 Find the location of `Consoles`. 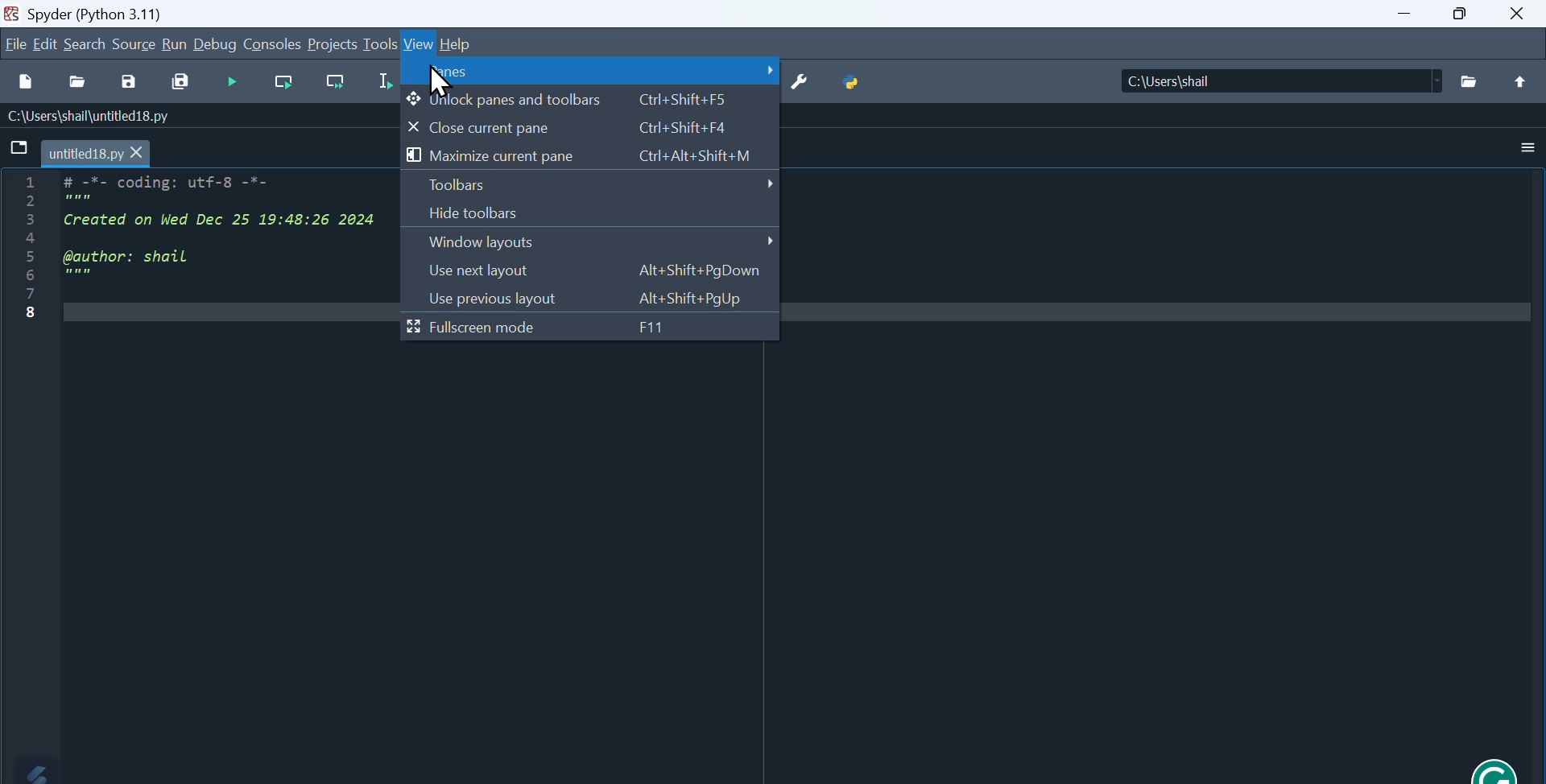

Consoles is located at coordinates (274, 43).